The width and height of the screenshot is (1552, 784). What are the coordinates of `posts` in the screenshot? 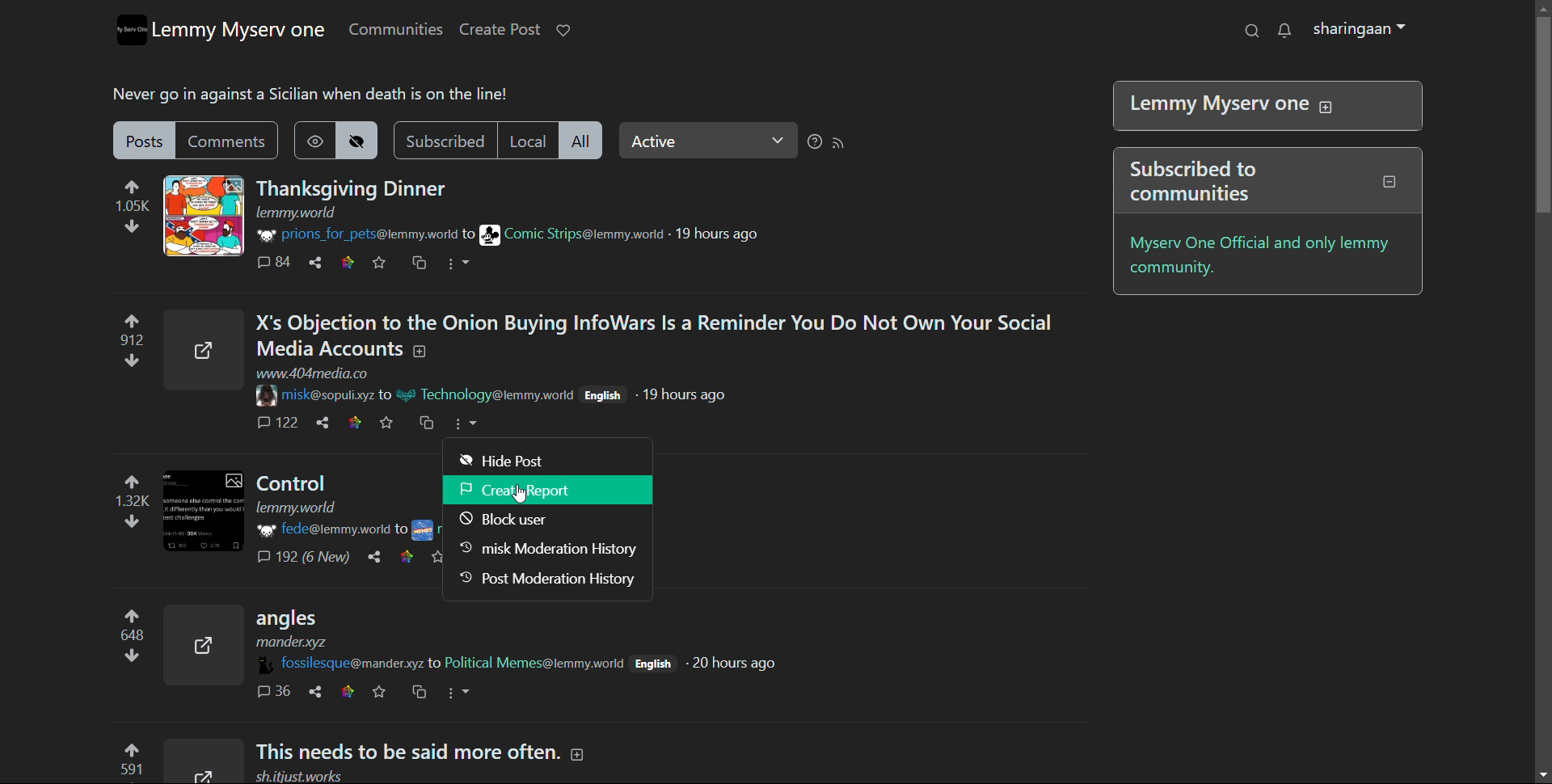 It's located at (145, 140).